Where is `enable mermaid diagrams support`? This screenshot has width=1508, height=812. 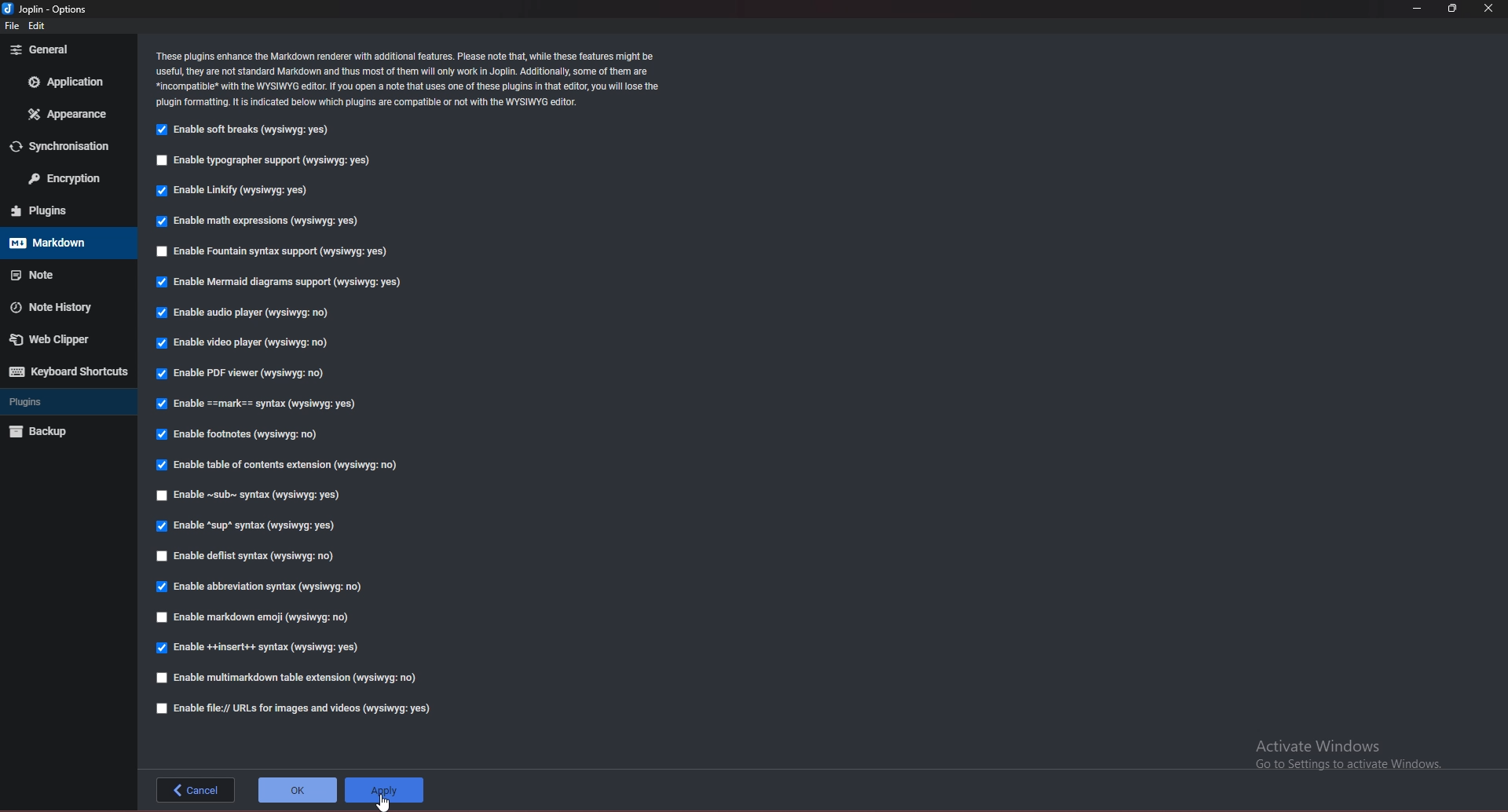 enable mermaid diagrams support is located at coordinates (278, 283).